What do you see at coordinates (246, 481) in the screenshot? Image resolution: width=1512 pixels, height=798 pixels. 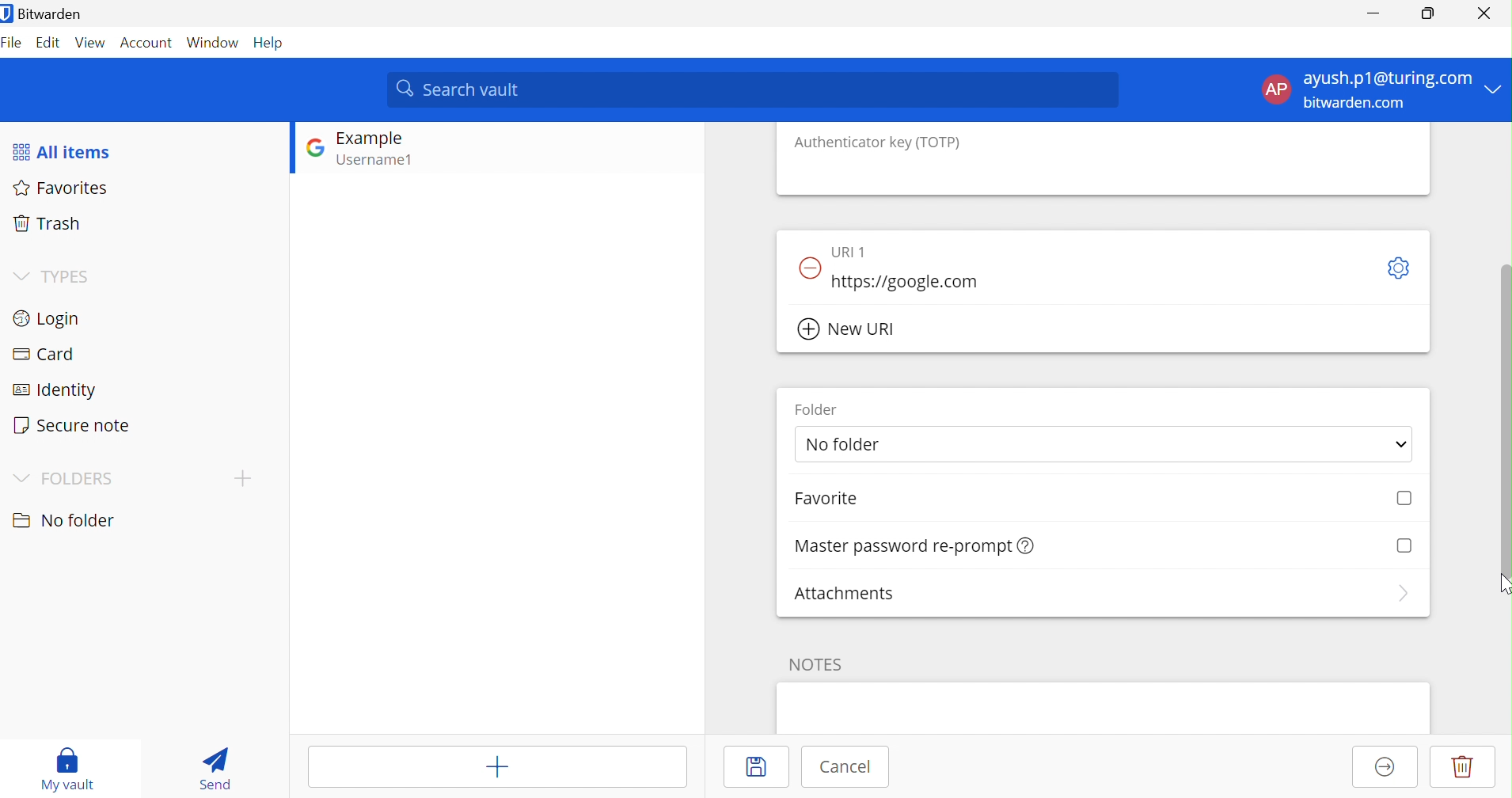 I see `CREATE FOLDER` at bounding box center [246, 481].